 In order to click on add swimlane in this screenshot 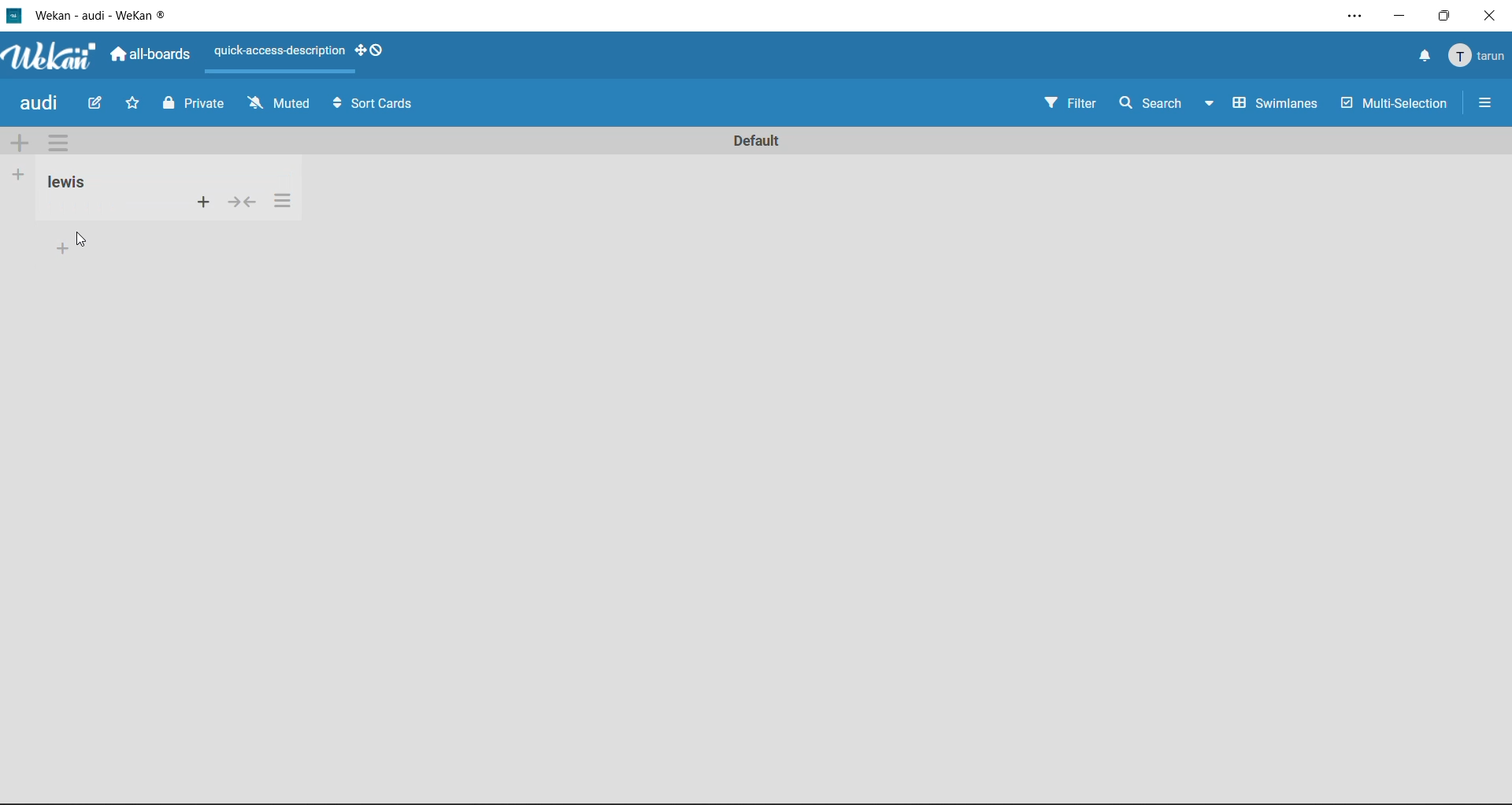, I will do `click(20, 145)`.